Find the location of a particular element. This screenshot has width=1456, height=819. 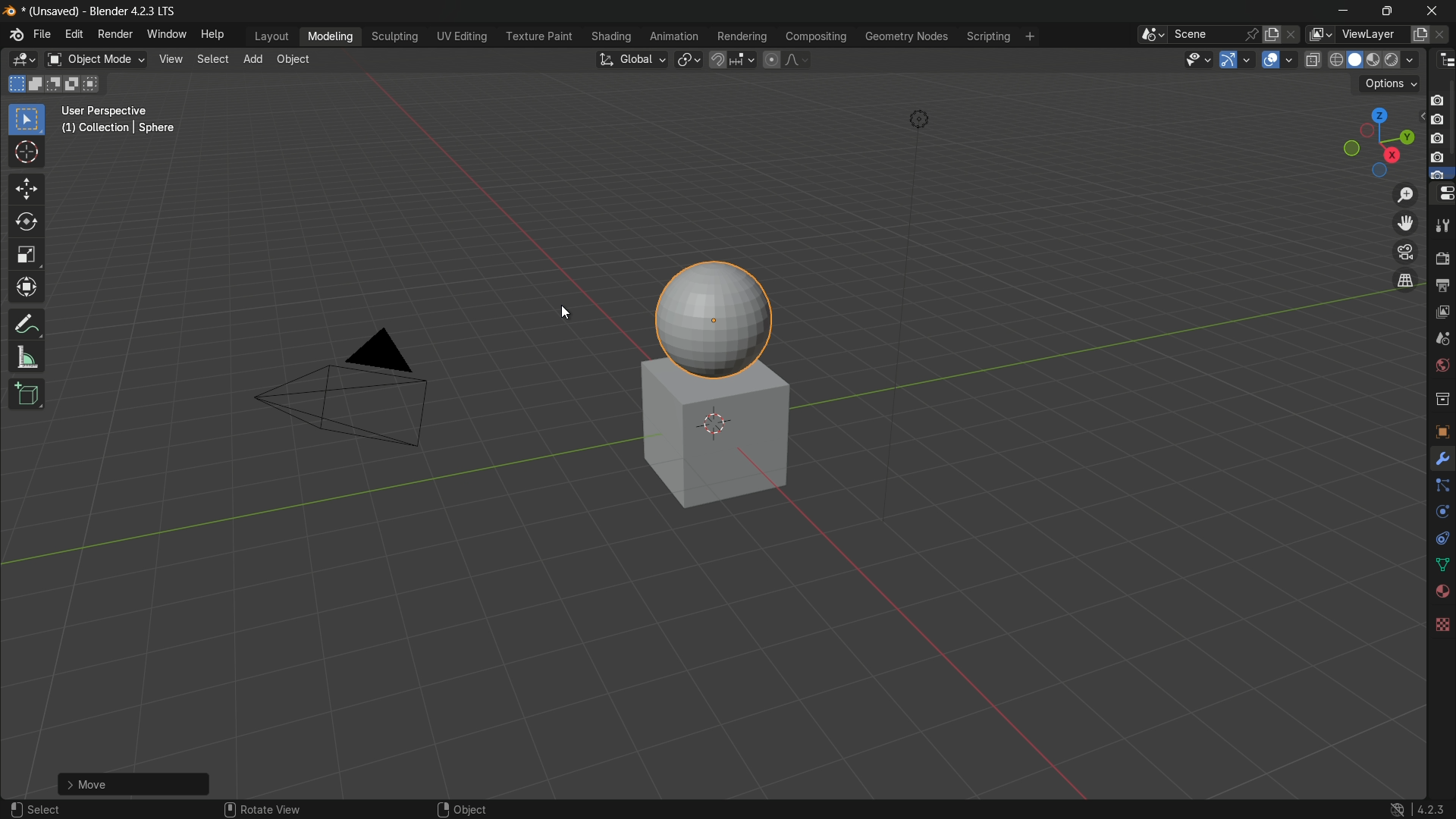

camera is located at coordinates (1441, 133).